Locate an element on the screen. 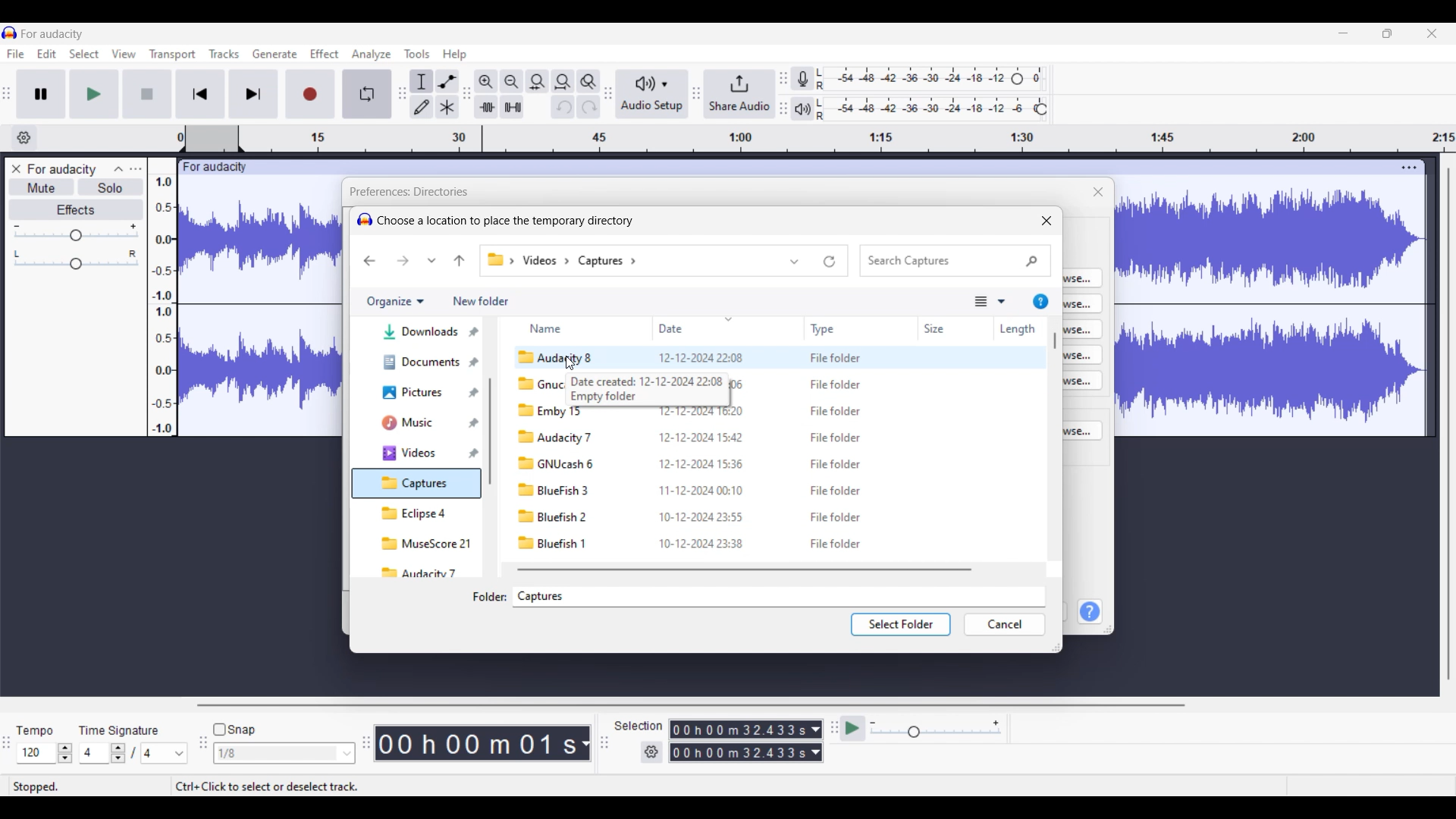 The width and height of the screenshot is (1456, 819). Playback meter is located at coordinates (802, 110).